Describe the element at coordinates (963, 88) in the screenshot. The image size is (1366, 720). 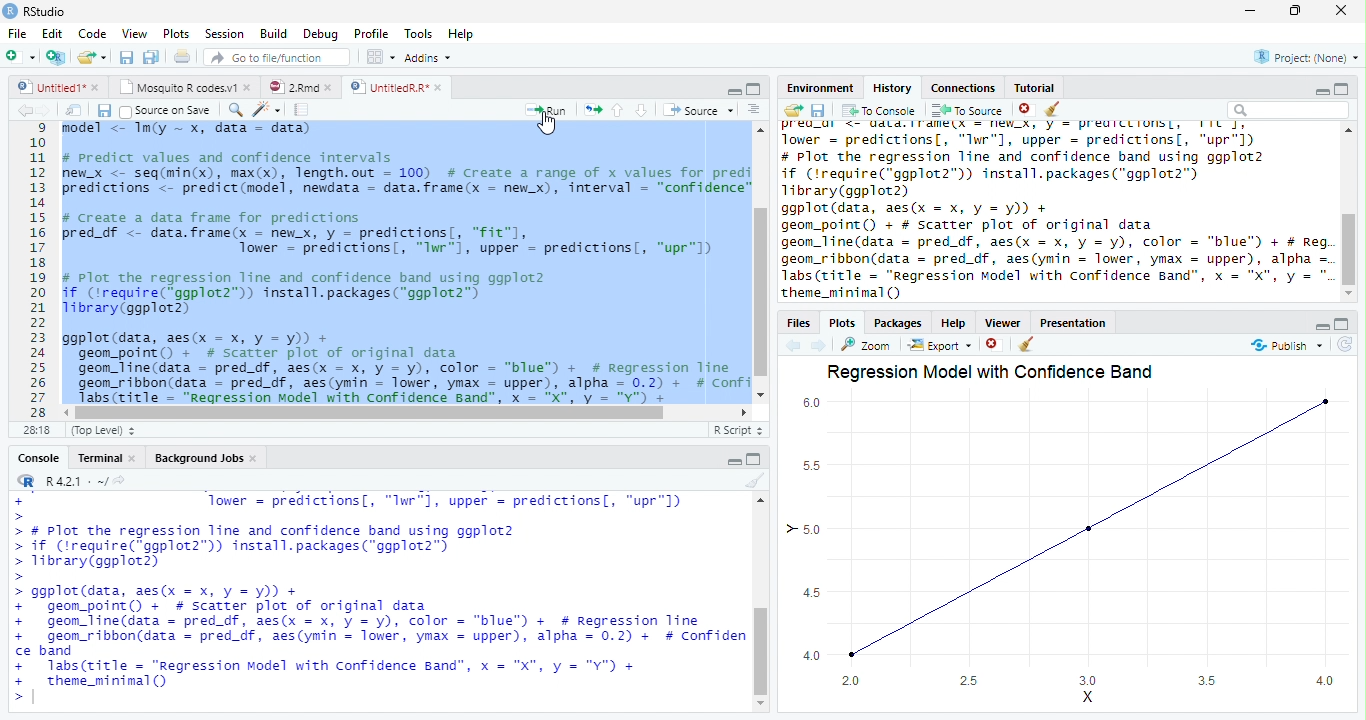
I see `Connection` at that location.